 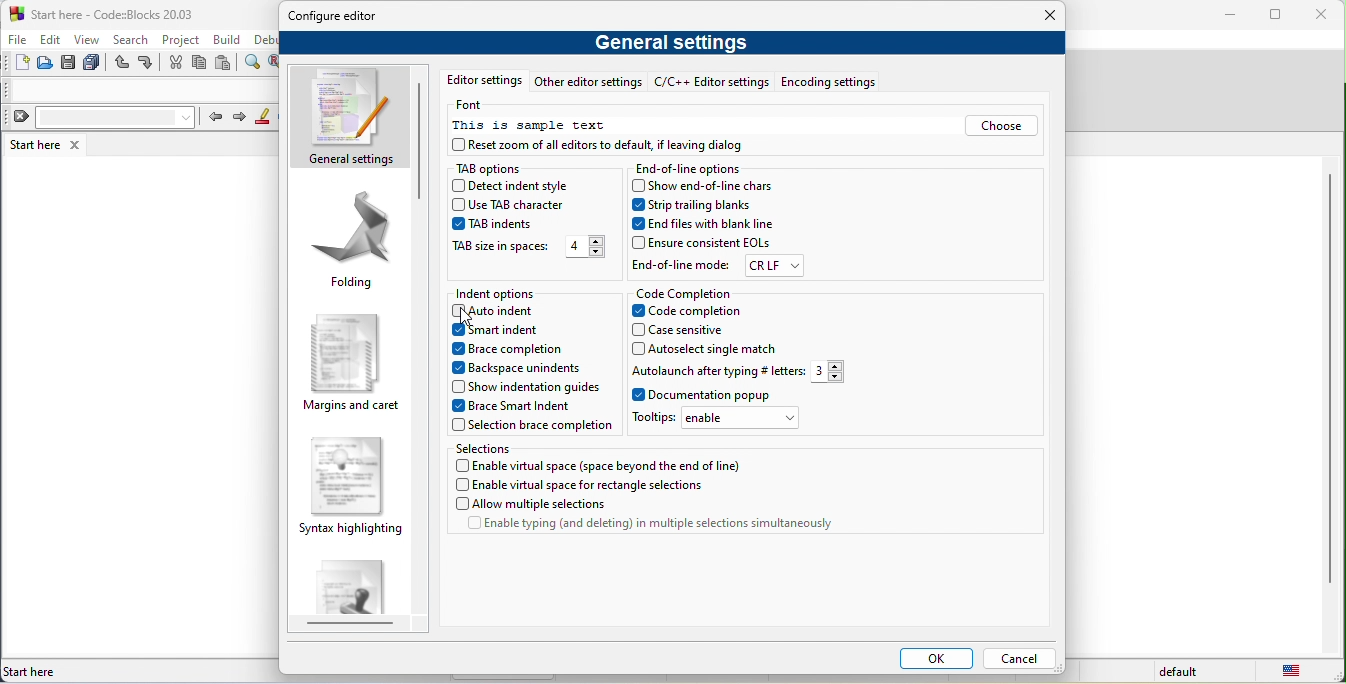 I want to click on code completion, so click(x=685, y=295).